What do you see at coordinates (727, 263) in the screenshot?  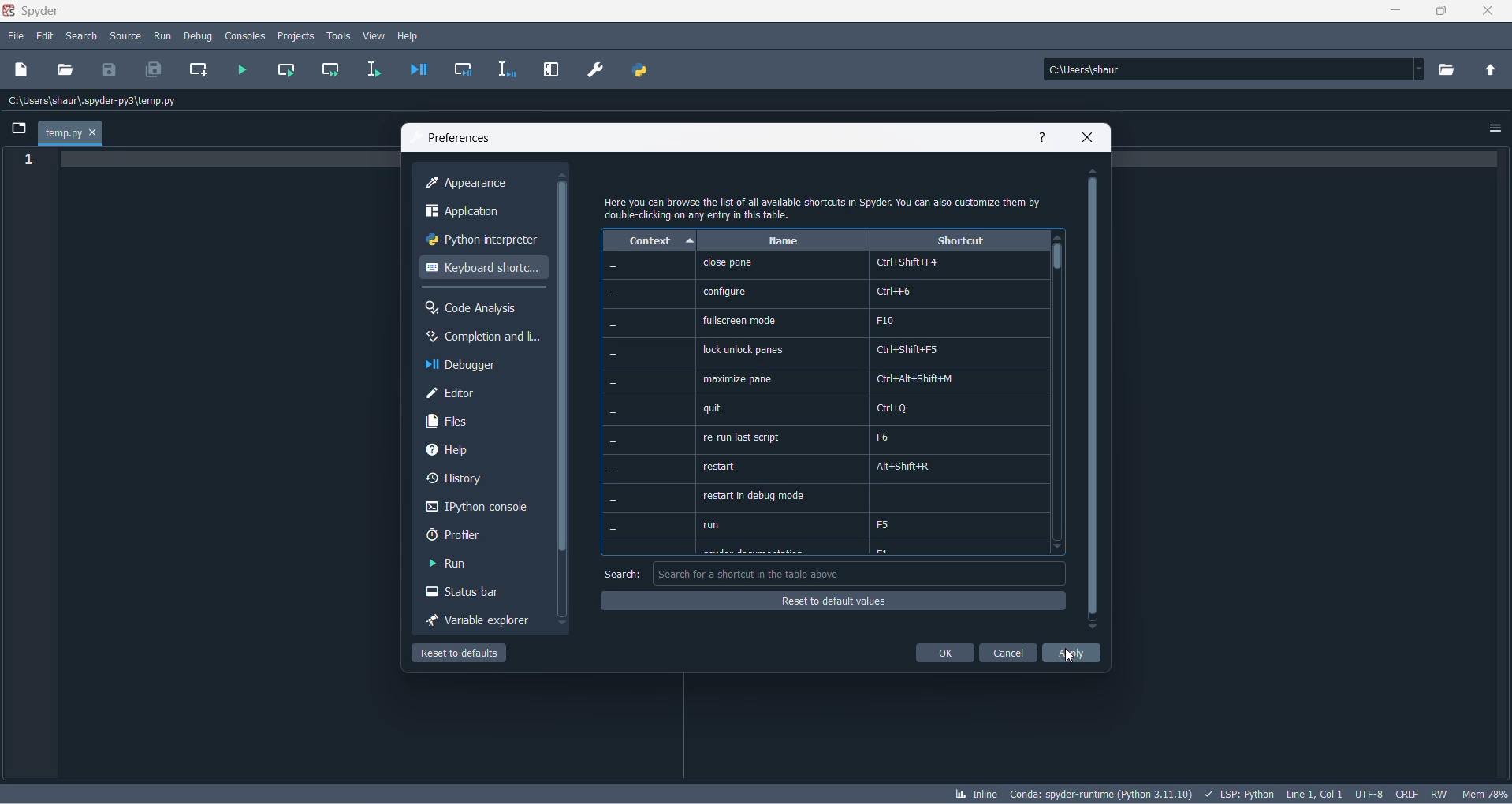 I see `close pane` at bounding box center [727, 263].